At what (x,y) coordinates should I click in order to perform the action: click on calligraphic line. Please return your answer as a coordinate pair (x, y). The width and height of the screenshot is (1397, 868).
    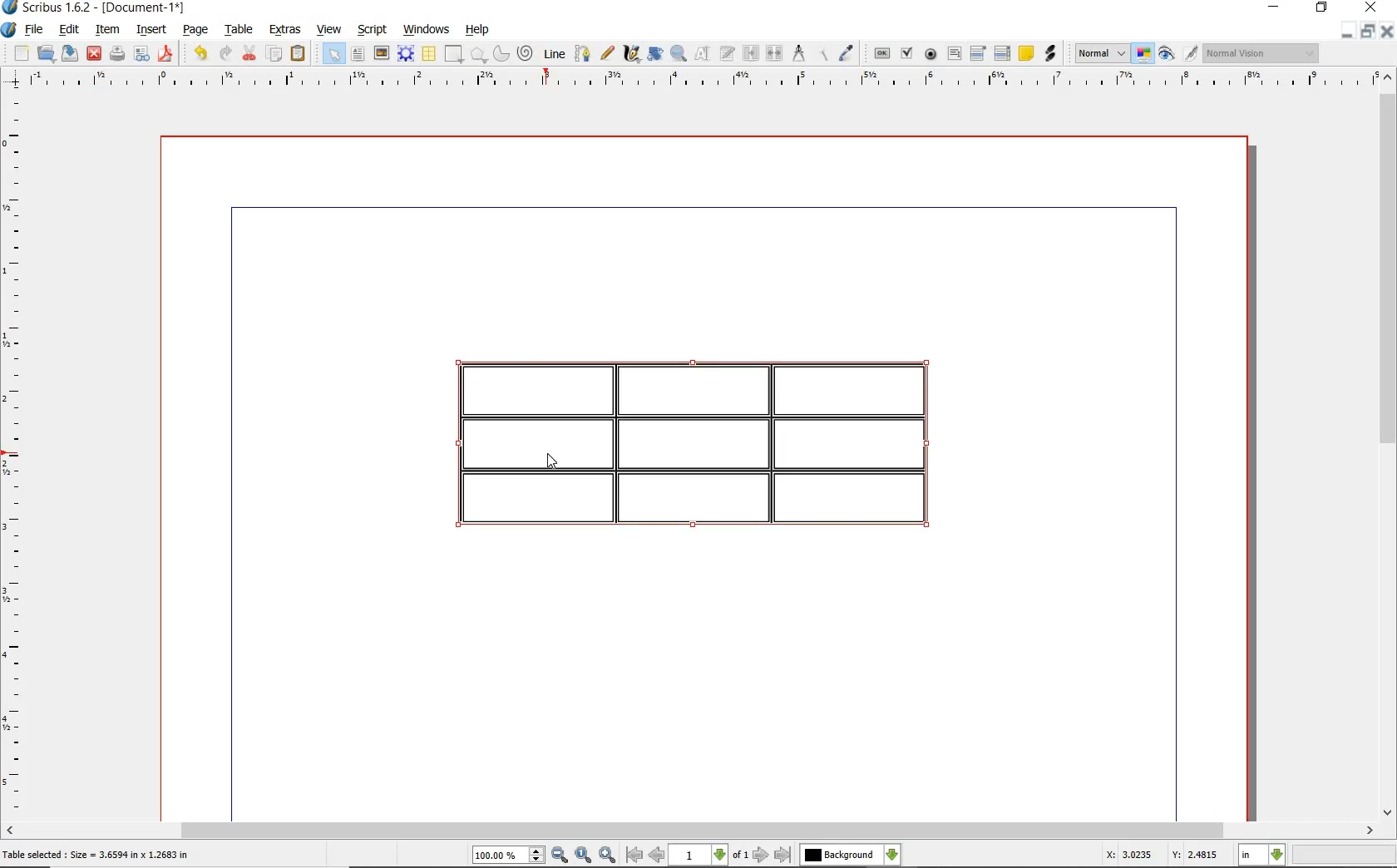
    Looking at the image, I should click on (630, 53).